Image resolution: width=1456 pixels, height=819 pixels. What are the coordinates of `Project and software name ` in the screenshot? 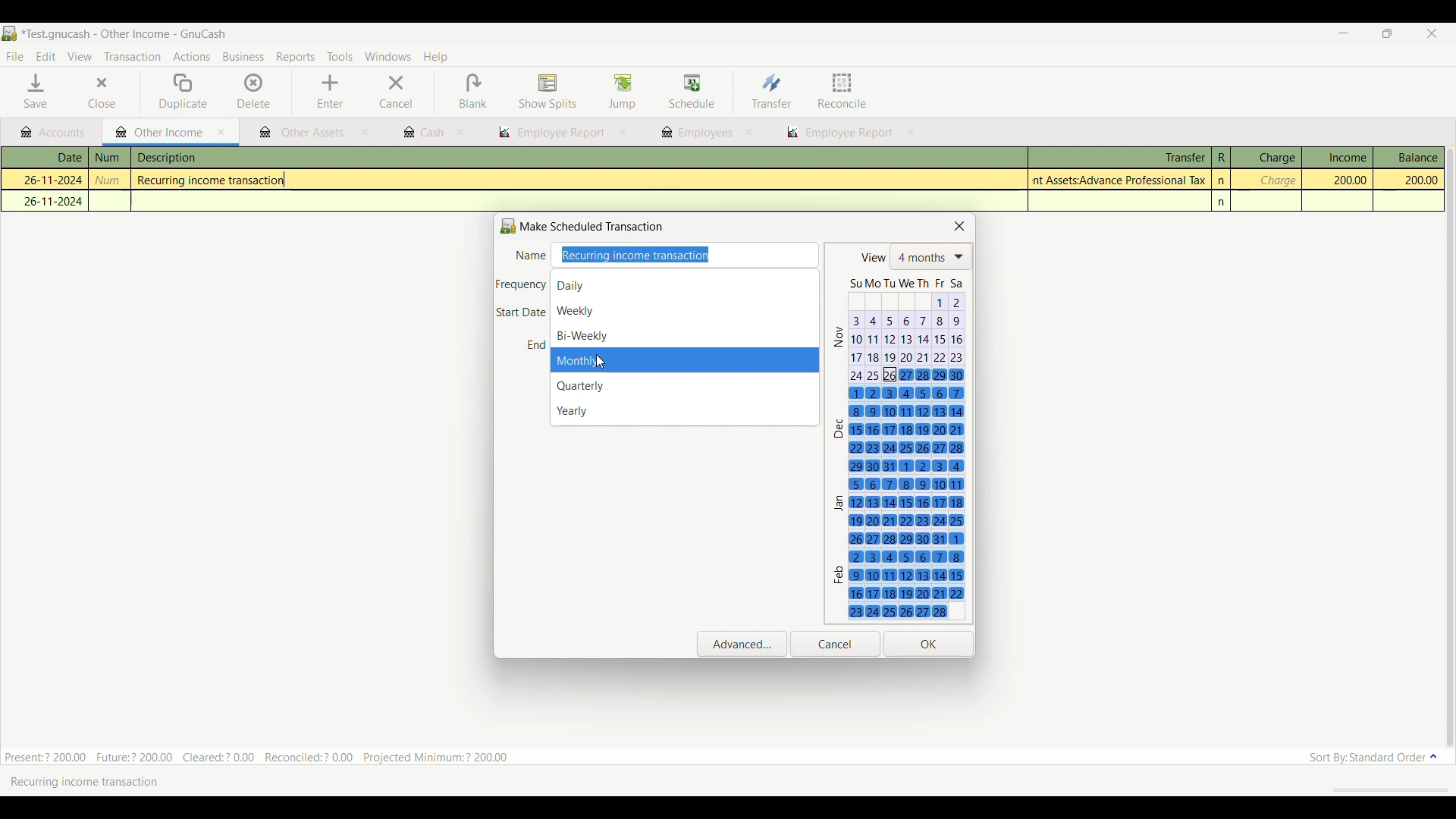 It's located at (124, 35).